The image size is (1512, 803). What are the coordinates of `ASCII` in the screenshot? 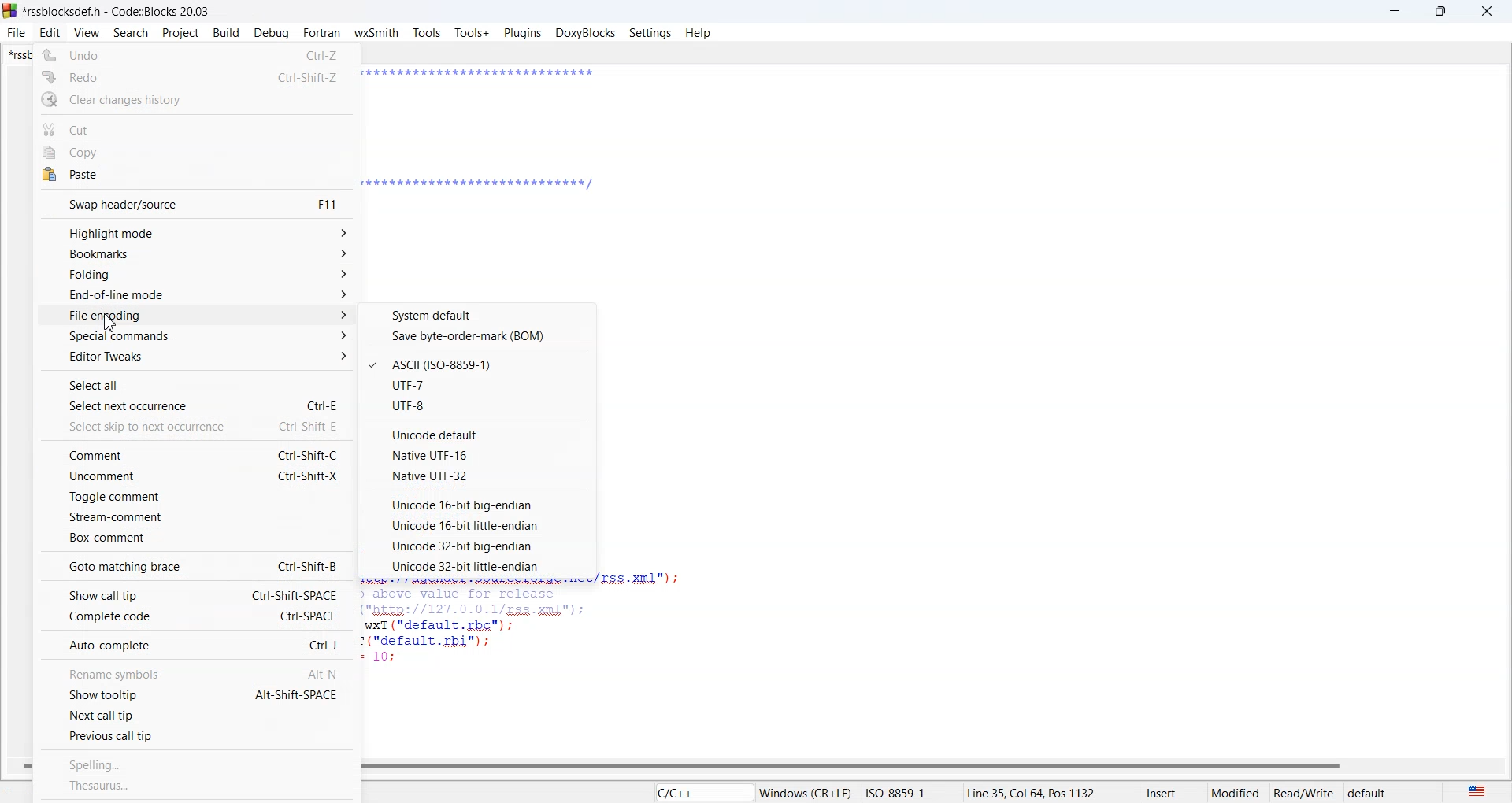 It's located at (478, 364).